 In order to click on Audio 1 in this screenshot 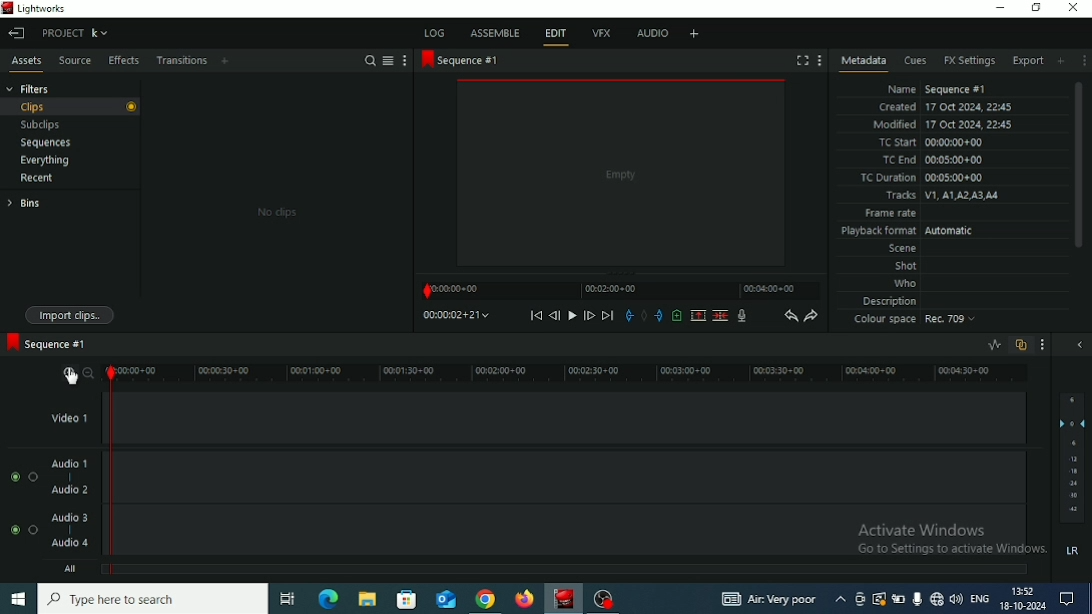, I will do `click(72, 463)`.